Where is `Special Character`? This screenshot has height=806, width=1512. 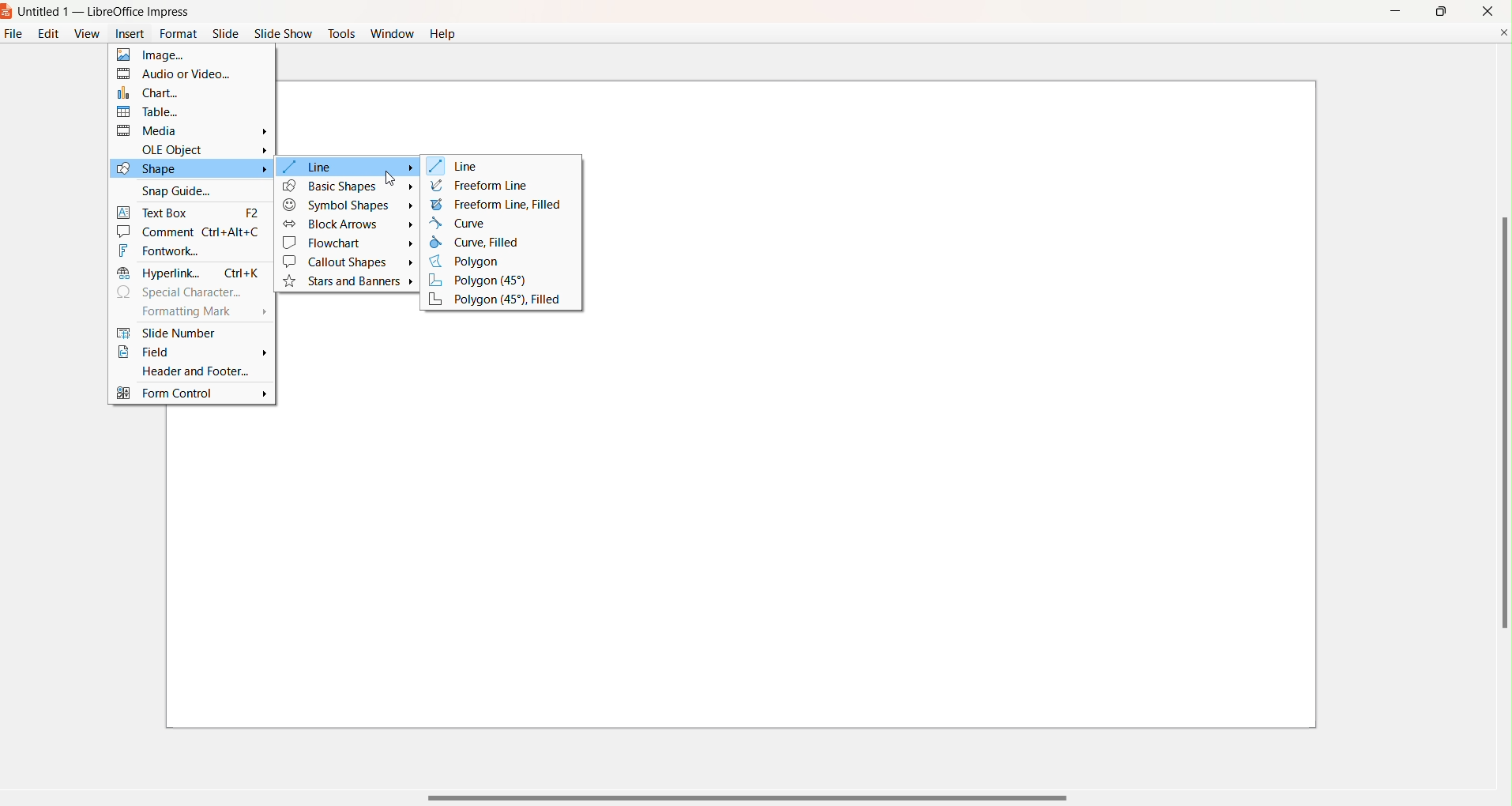 Special Character is located at coordinates (185, 292).